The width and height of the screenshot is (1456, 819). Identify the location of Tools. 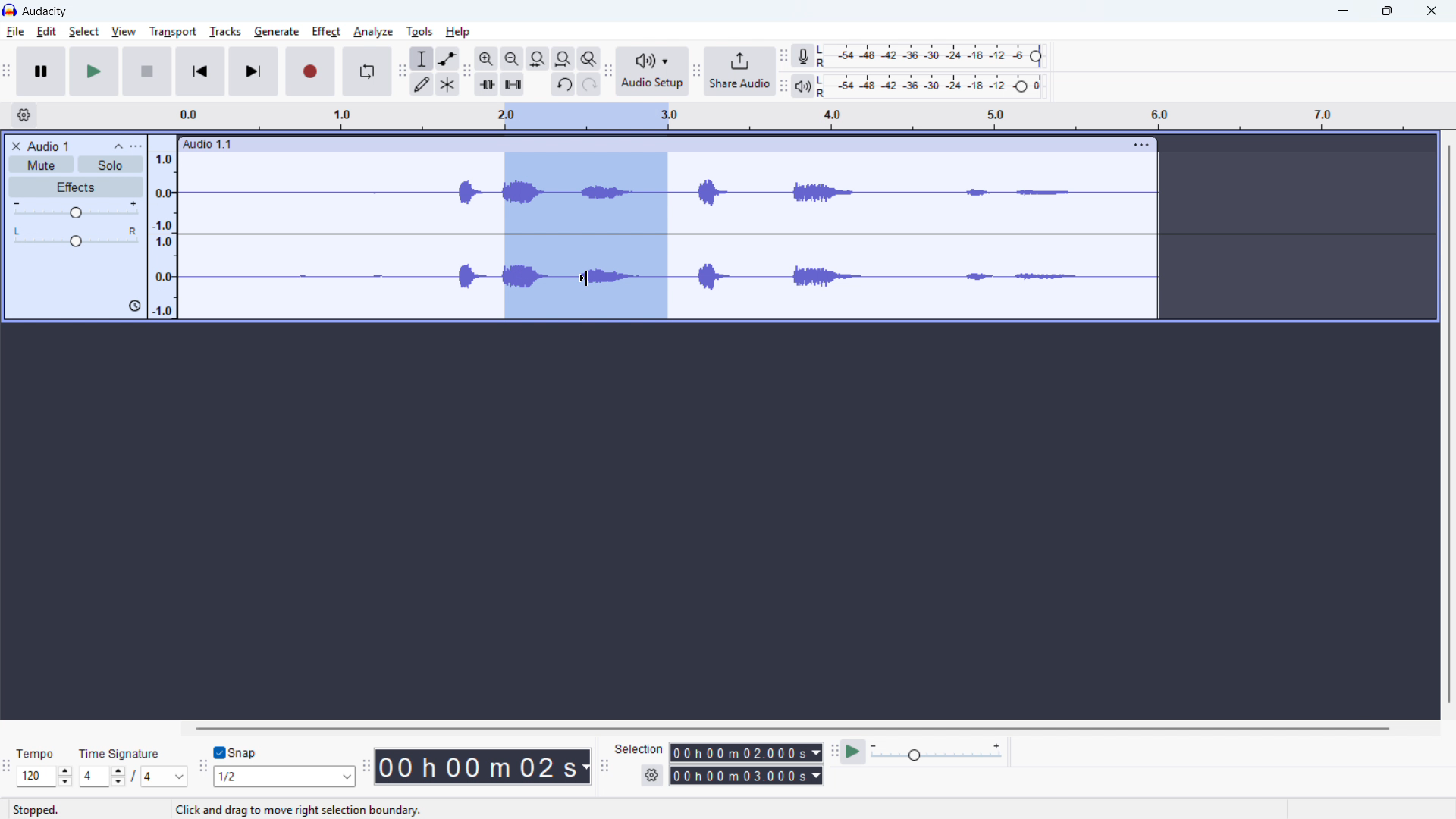
(419, 31).